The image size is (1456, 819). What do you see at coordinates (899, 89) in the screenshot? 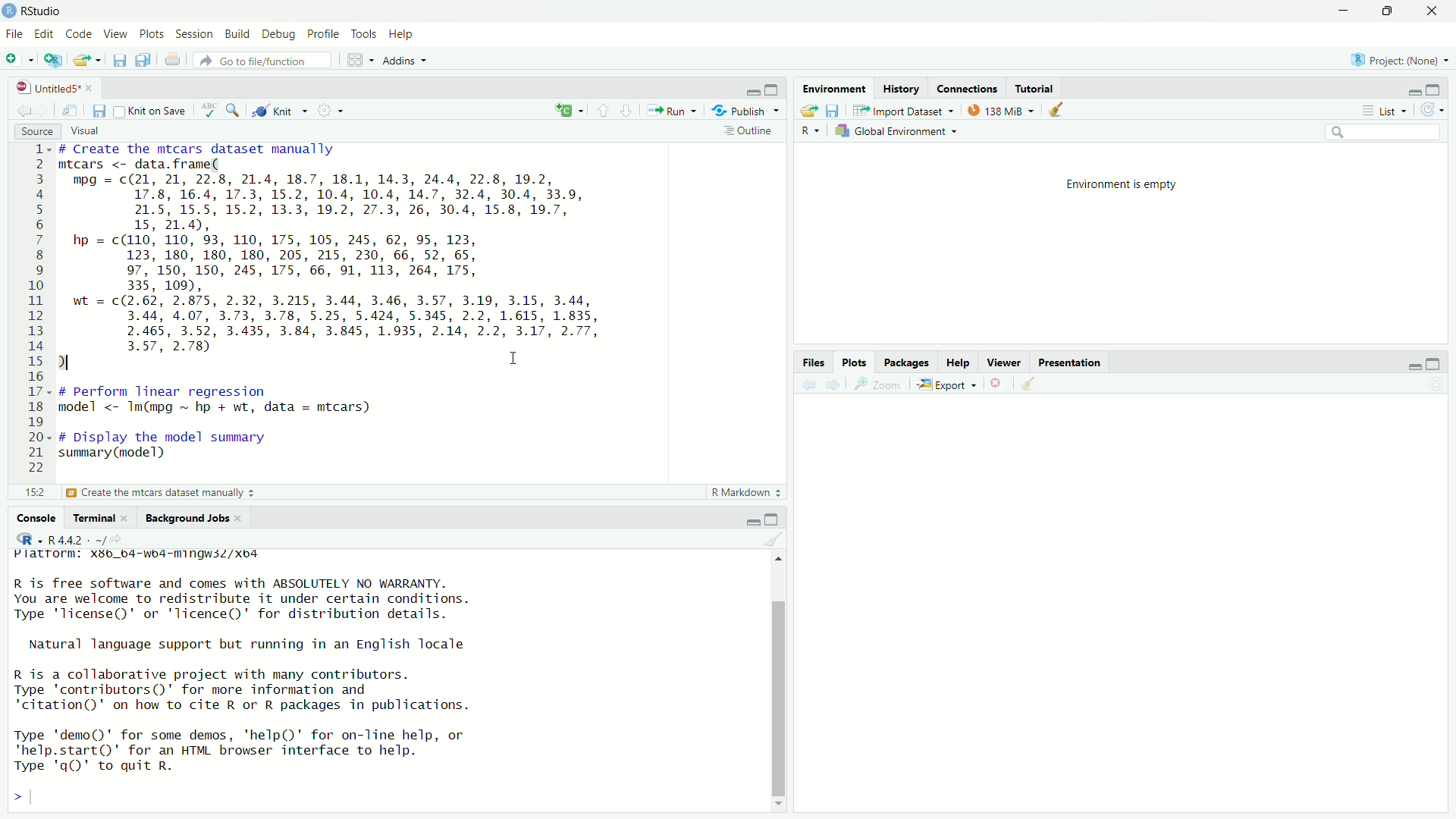
I see `History` at bounding box center [899, 89].